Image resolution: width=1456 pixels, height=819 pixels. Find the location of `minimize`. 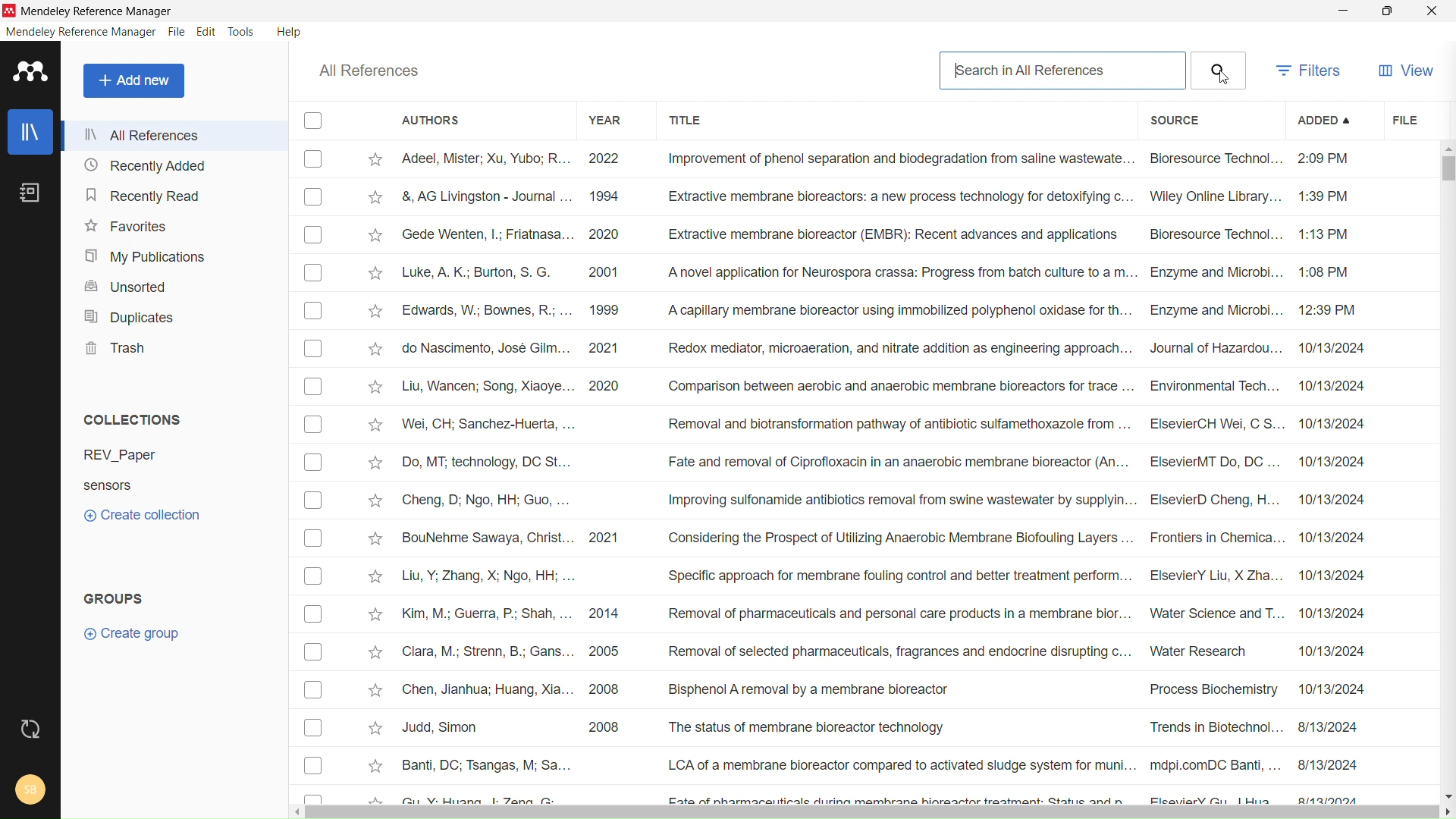

minimize is located at coordinates (1342, 10).